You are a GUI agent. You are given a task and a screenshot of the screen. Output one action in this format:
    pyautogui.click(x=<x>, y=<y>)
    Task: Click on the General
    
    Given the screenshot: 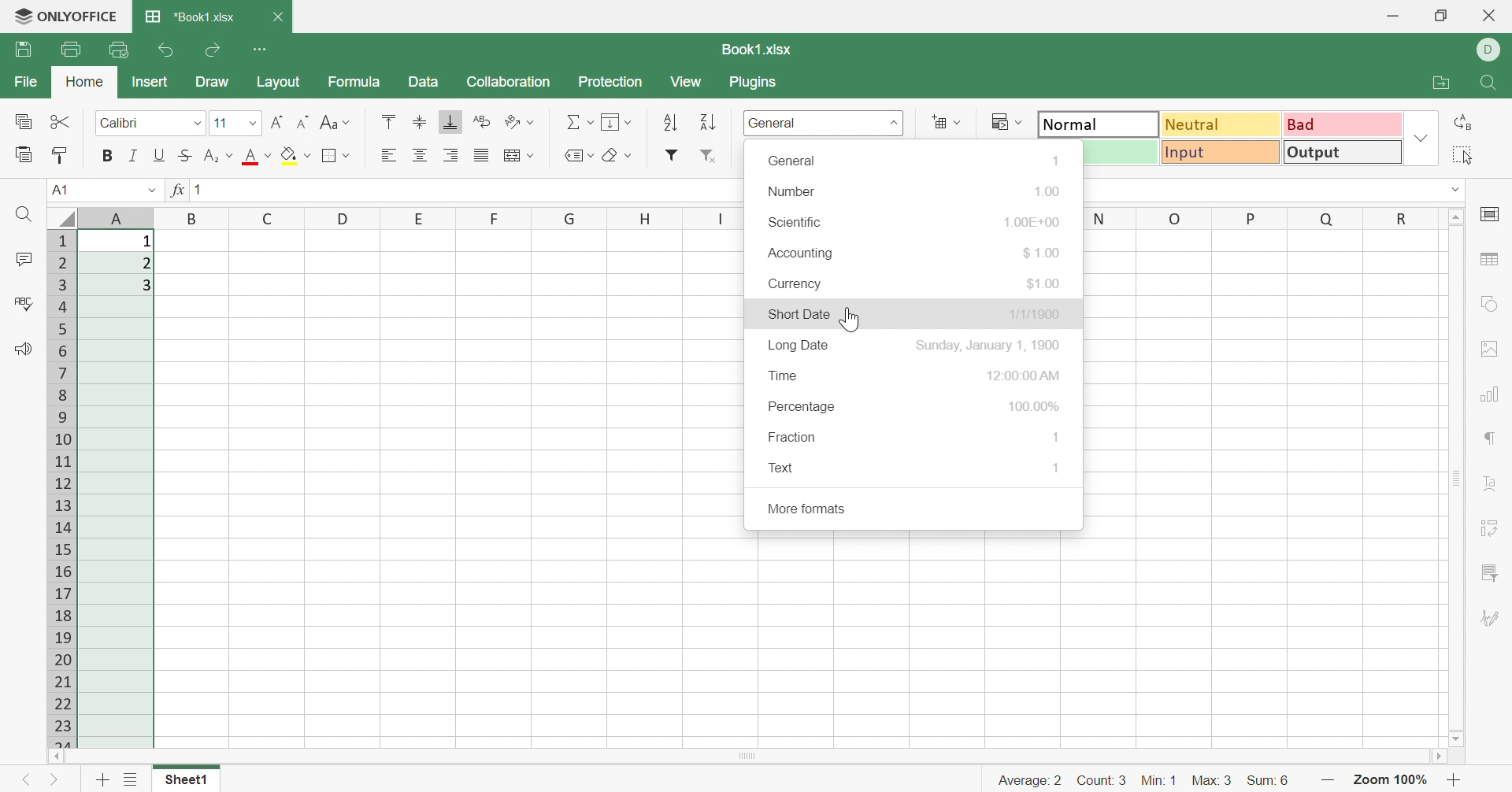 What is the action you would take?
    pyautogui.click(x=793, y=160)
    